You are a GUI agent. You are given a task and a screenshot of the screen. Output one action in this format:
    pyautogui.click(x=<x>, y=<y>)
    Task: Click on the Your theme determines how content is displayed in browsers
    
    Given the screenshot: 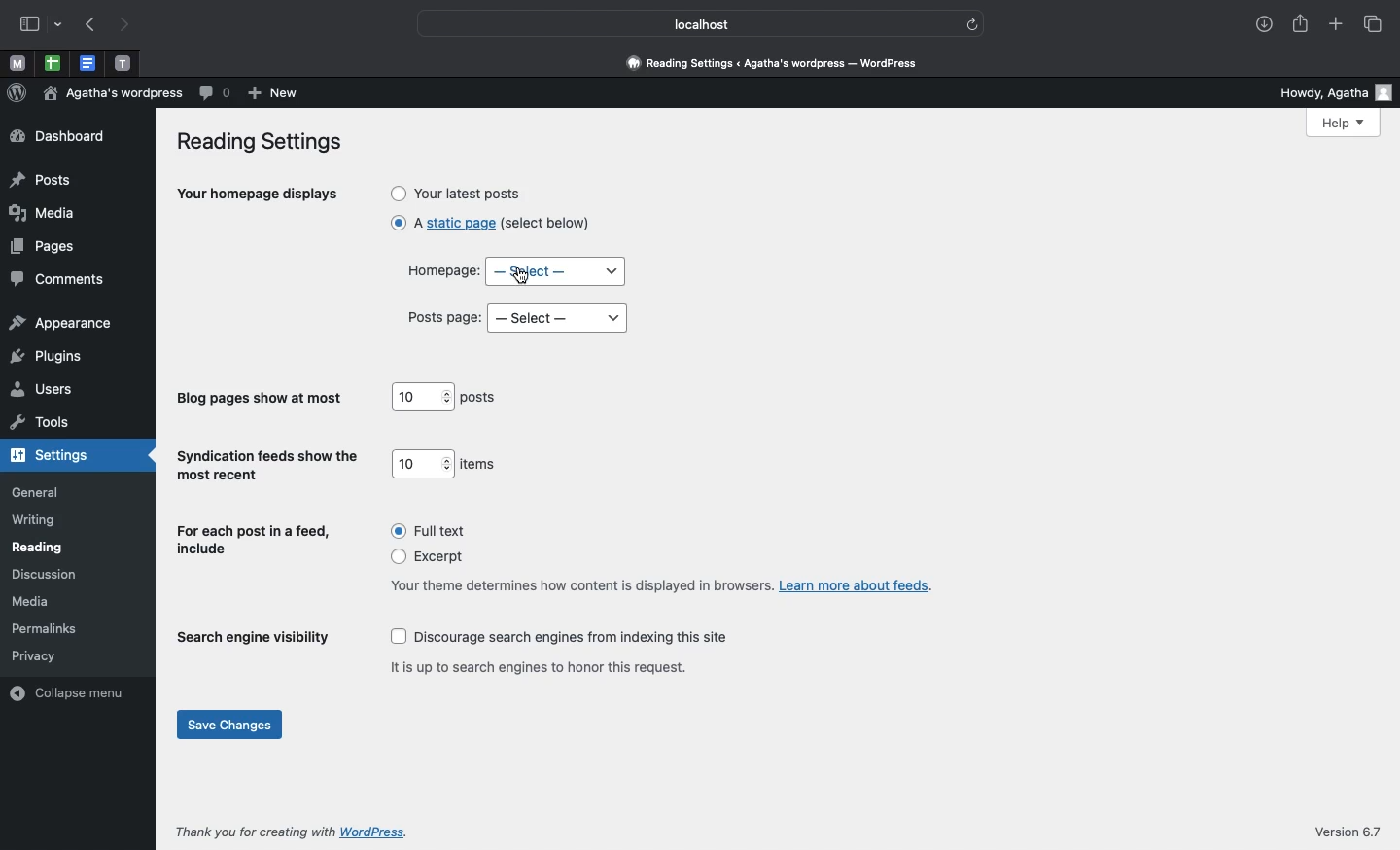 What is the action you would take?
    pyautogui.click(x=660, y=585)
    